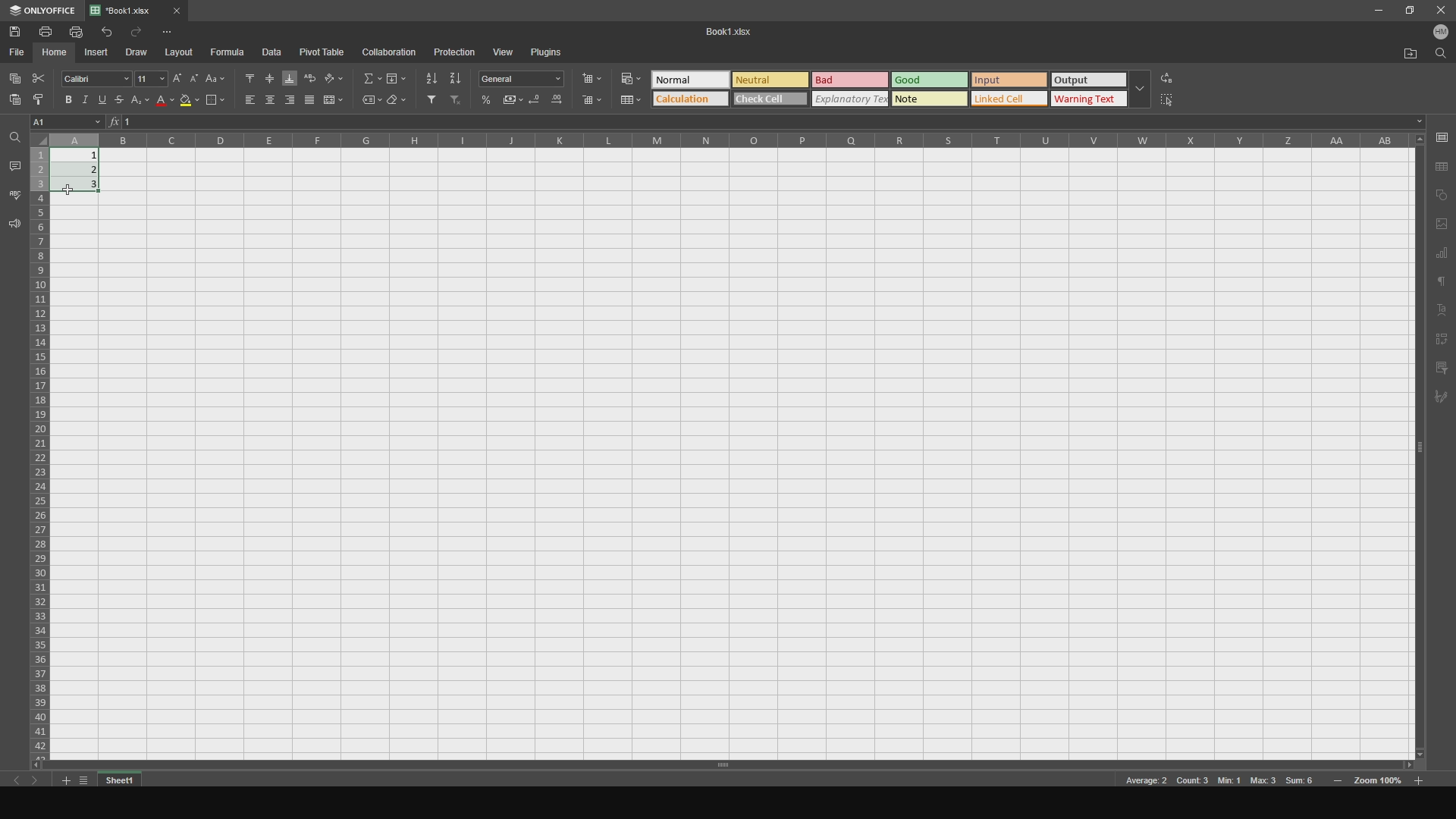  I want to click on italic, so click(86, 98).